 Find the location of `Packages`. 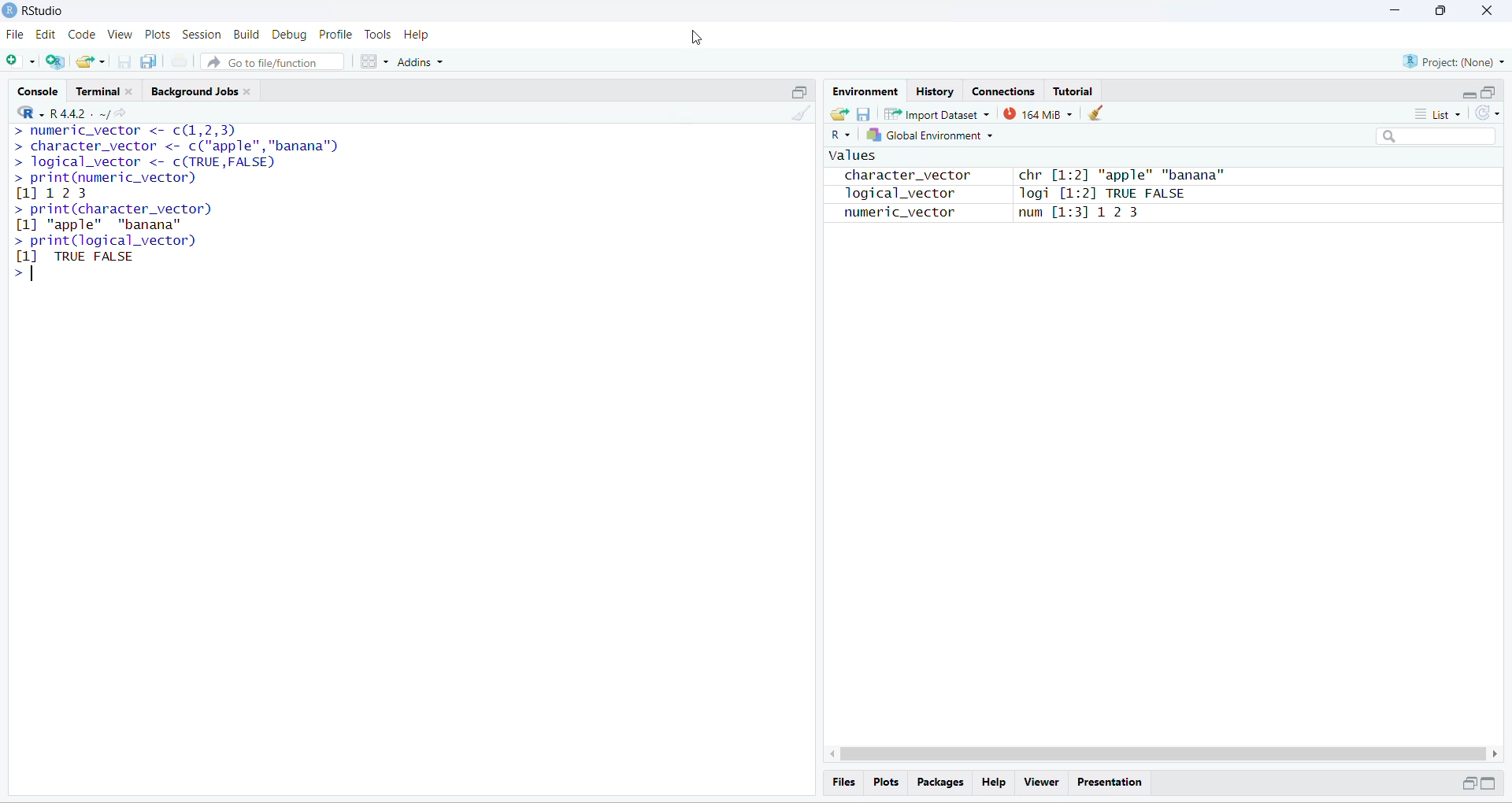

Packages is located at coordinates (940, 783).